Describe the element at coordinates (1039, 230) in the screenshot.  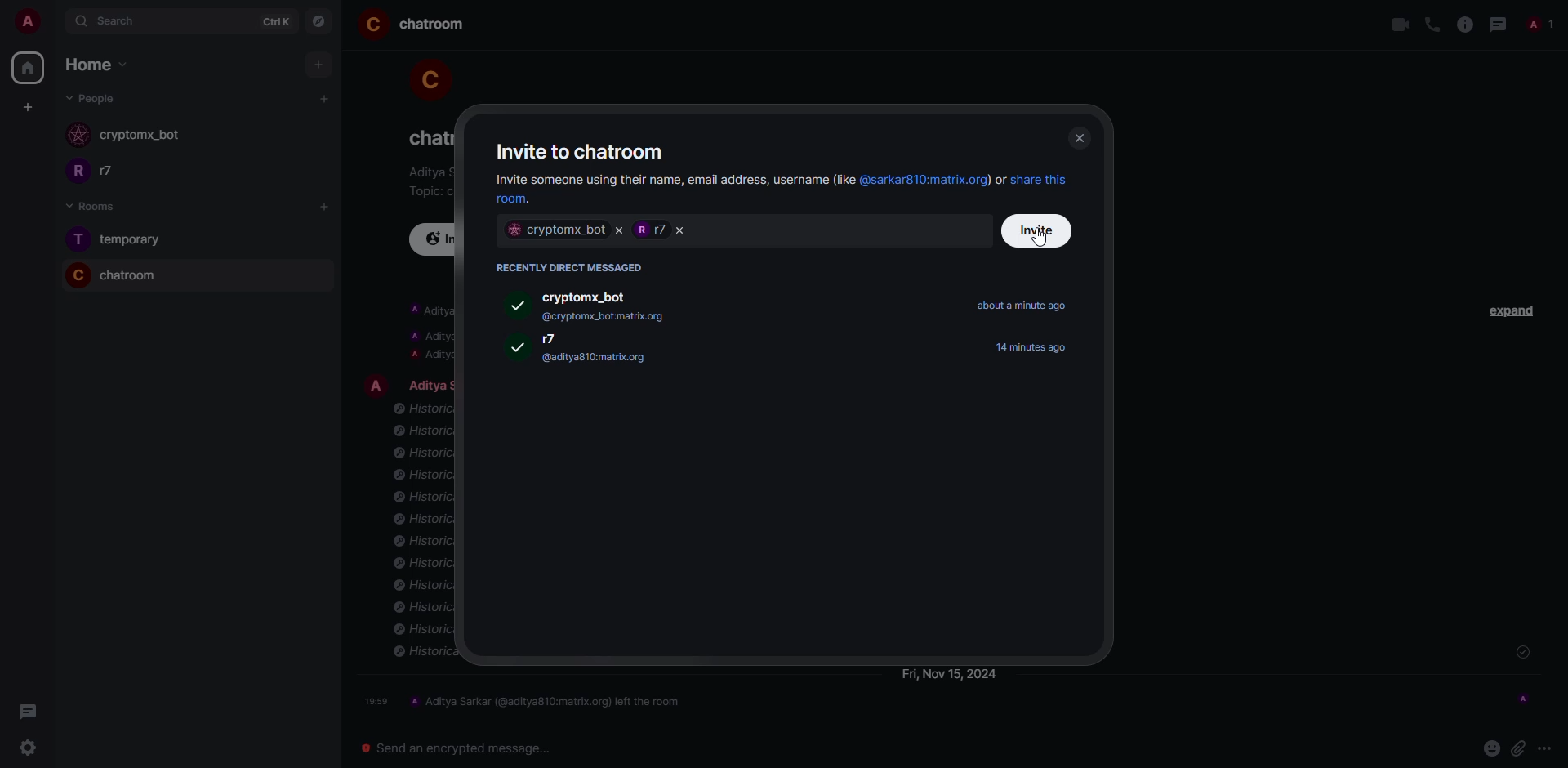
I see `invite` at that location.